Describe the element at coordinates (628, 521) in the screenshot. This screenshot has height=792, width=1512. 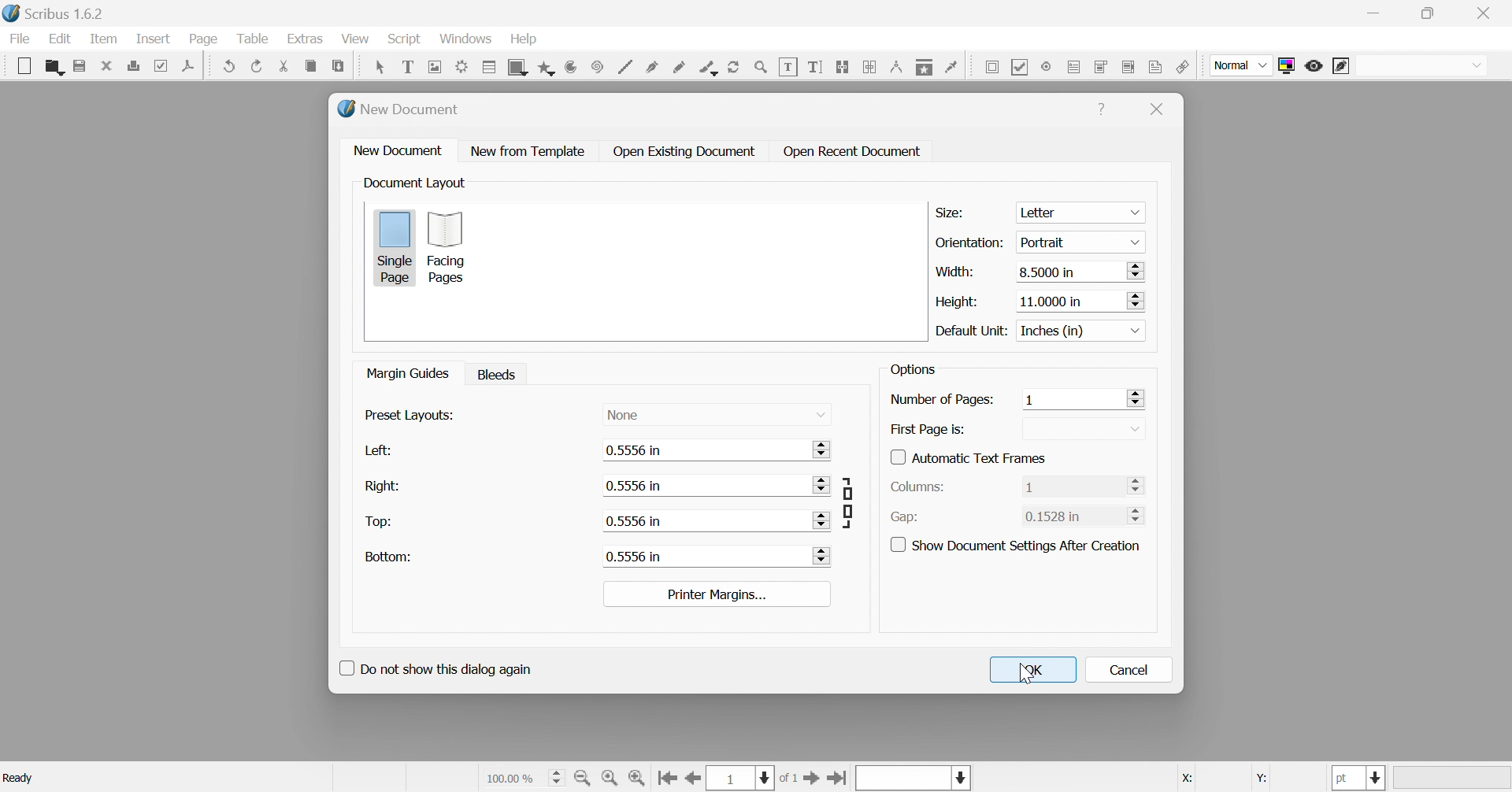
I see `0.5556 in` at that location.